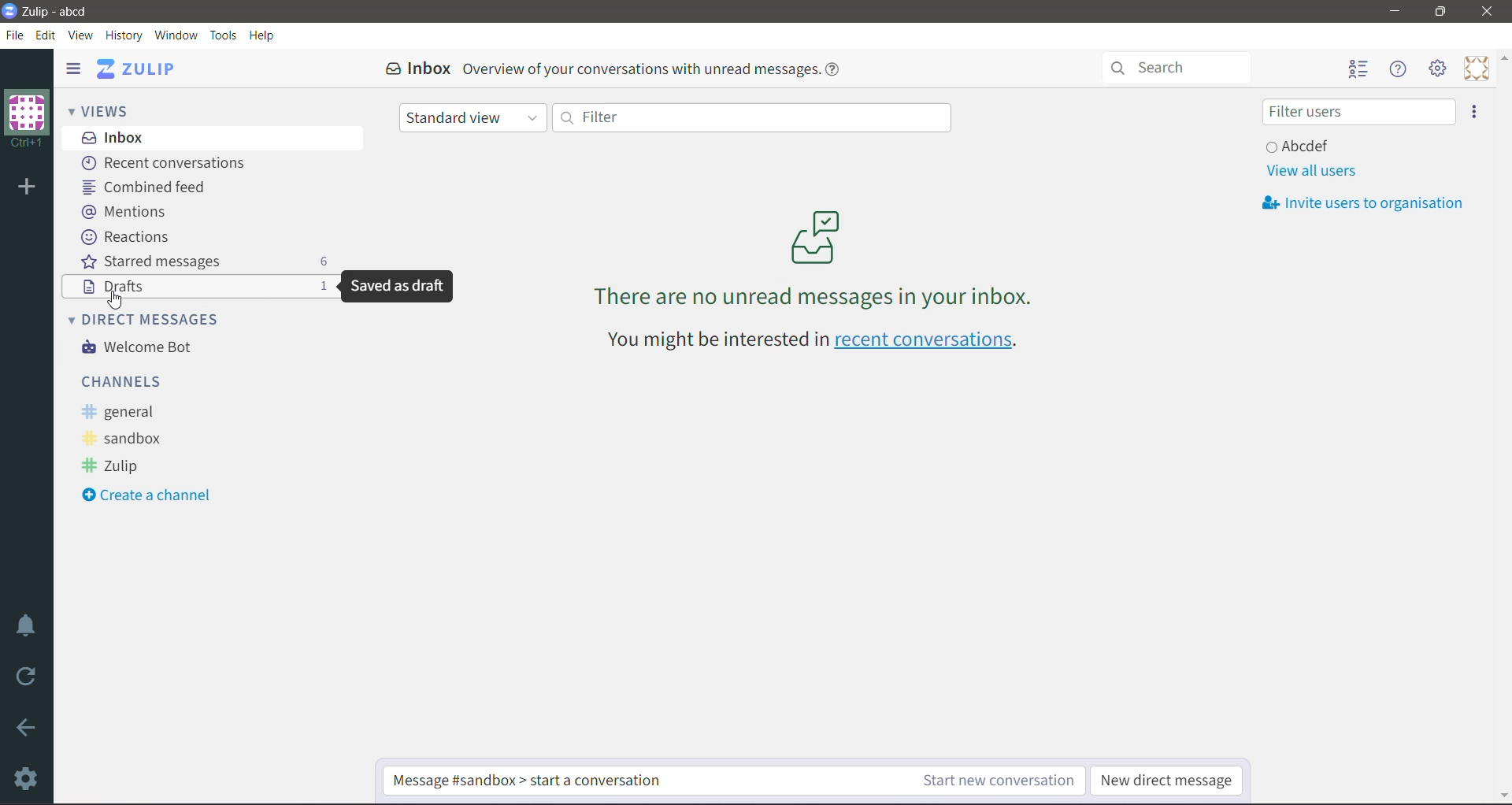 This screenshot has height=805, width=1512. I want to click on Filter users, so click(1358, 112).